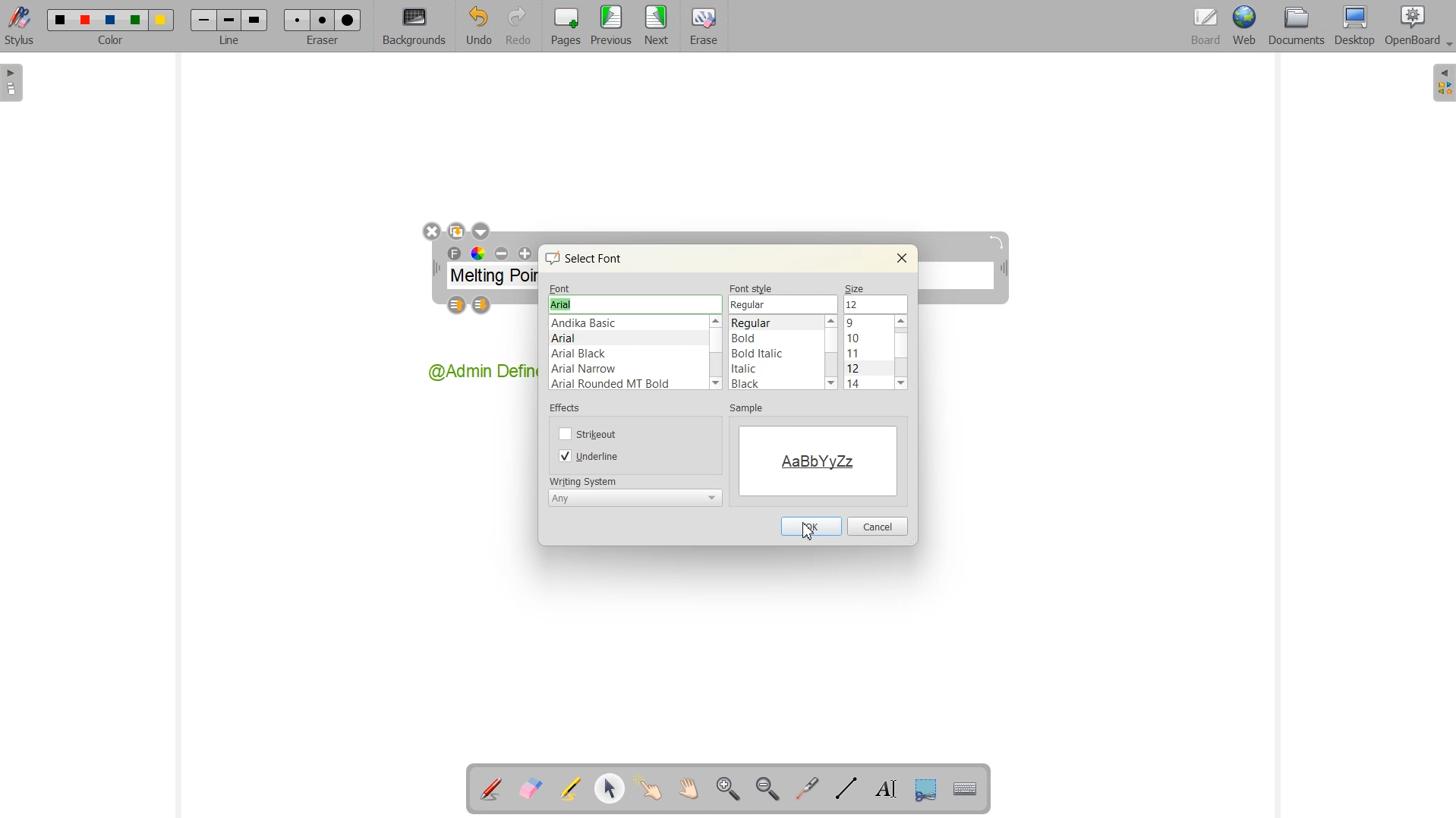 The image size is (1456, 818). Describe the element at coordinates (657, 27) in the screenshot. I see `Next` at that location.